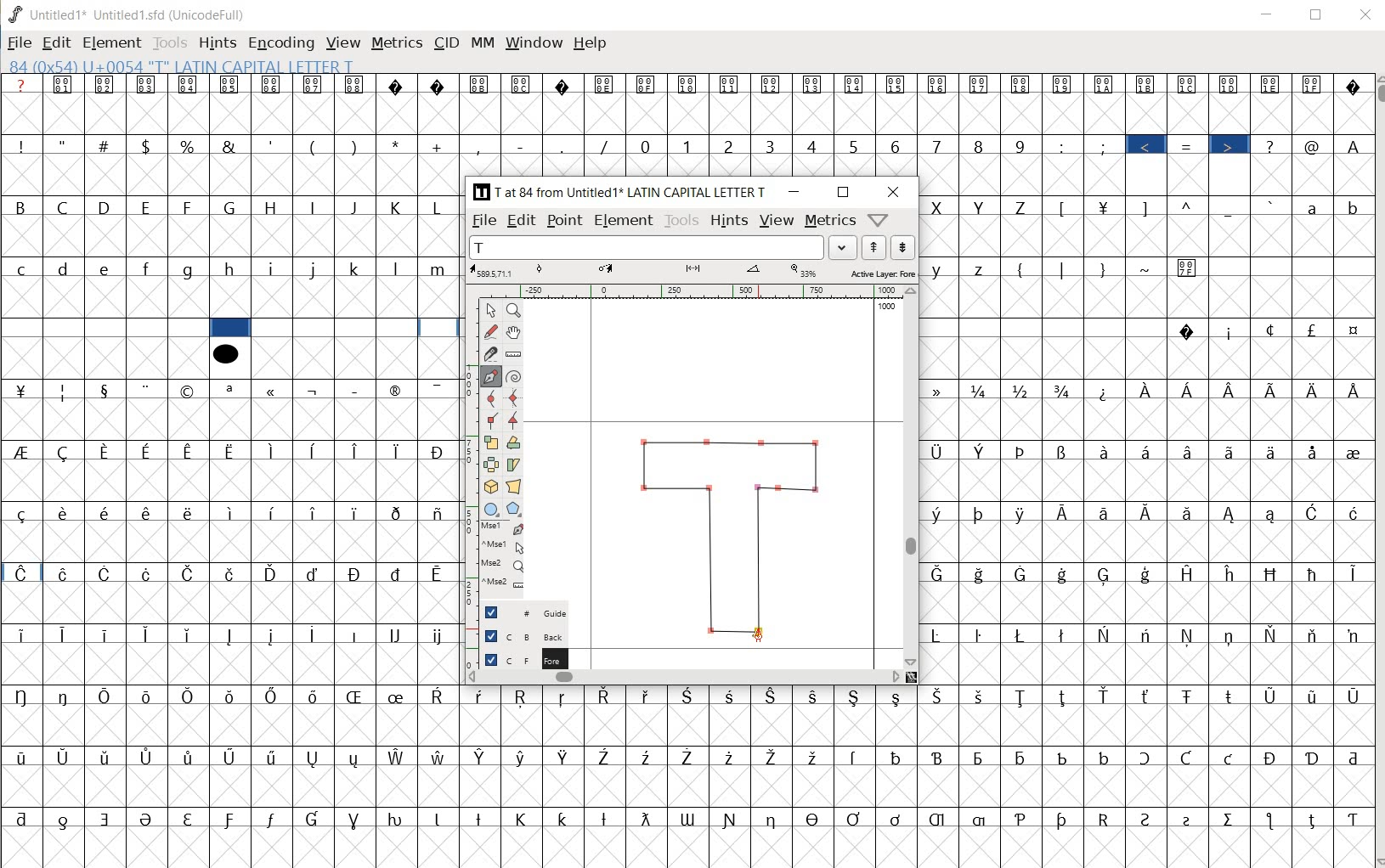 This screenshot has width=1385, height=868. Describe the element at coordinates (504, 565) in the screenshot. I see `Mouse wheel button` at that location.